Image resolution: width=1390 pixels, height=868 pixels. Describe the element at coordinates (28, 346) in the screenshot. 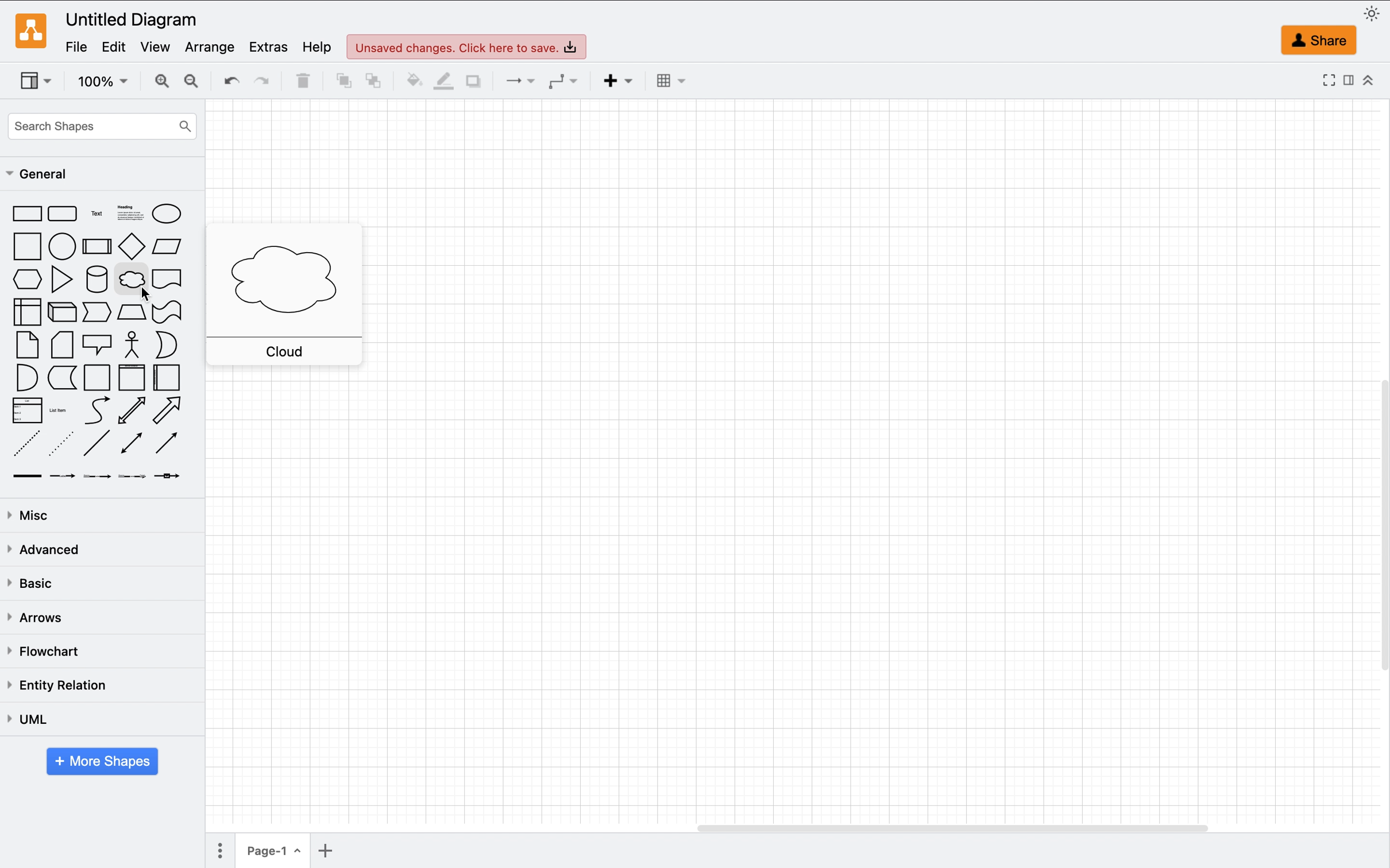

I see `note` at that location.